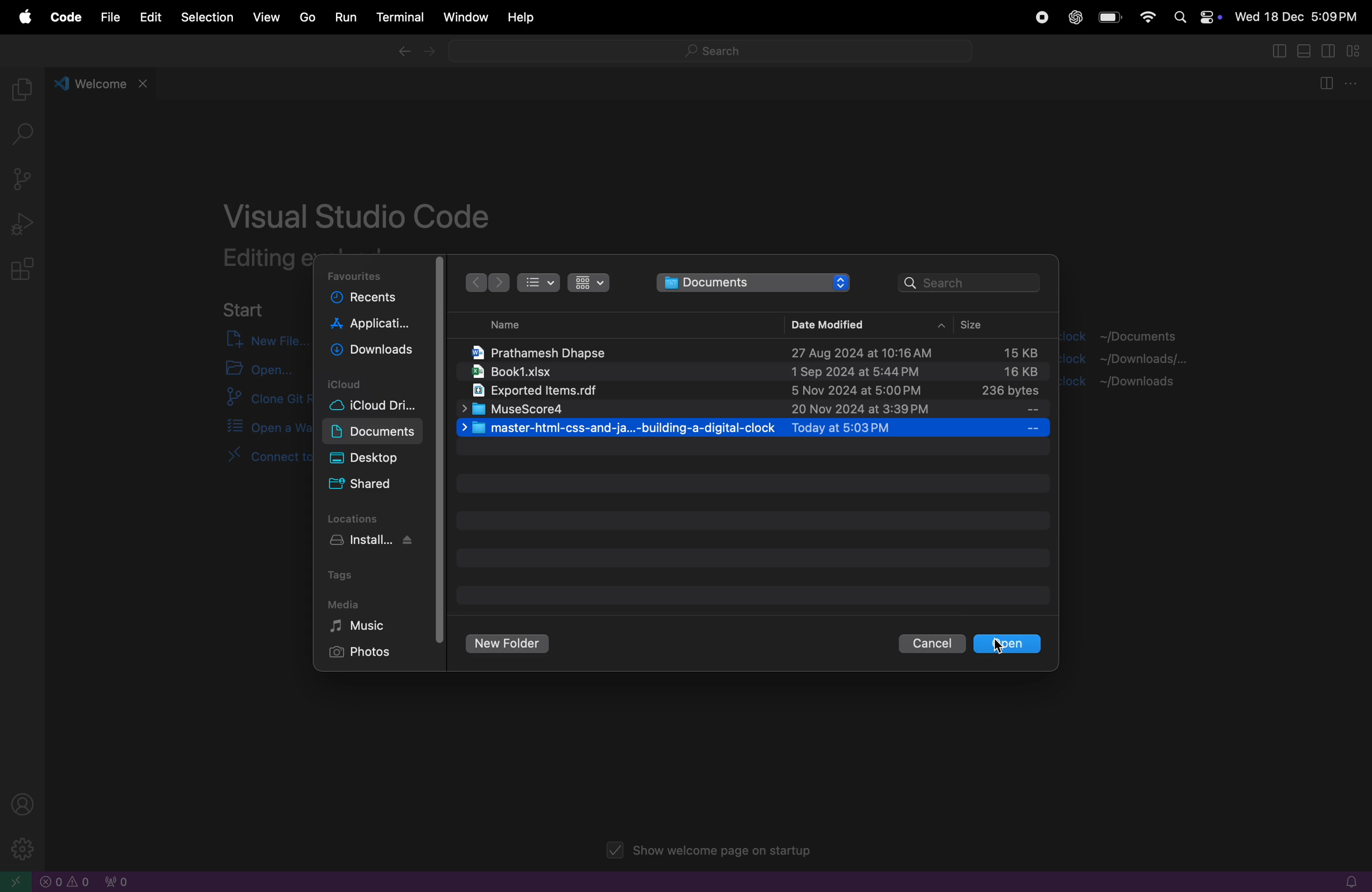  What do you see at coordinates (244, 308) in the screenshot?
I see `start` at bounding box center [244, 308].